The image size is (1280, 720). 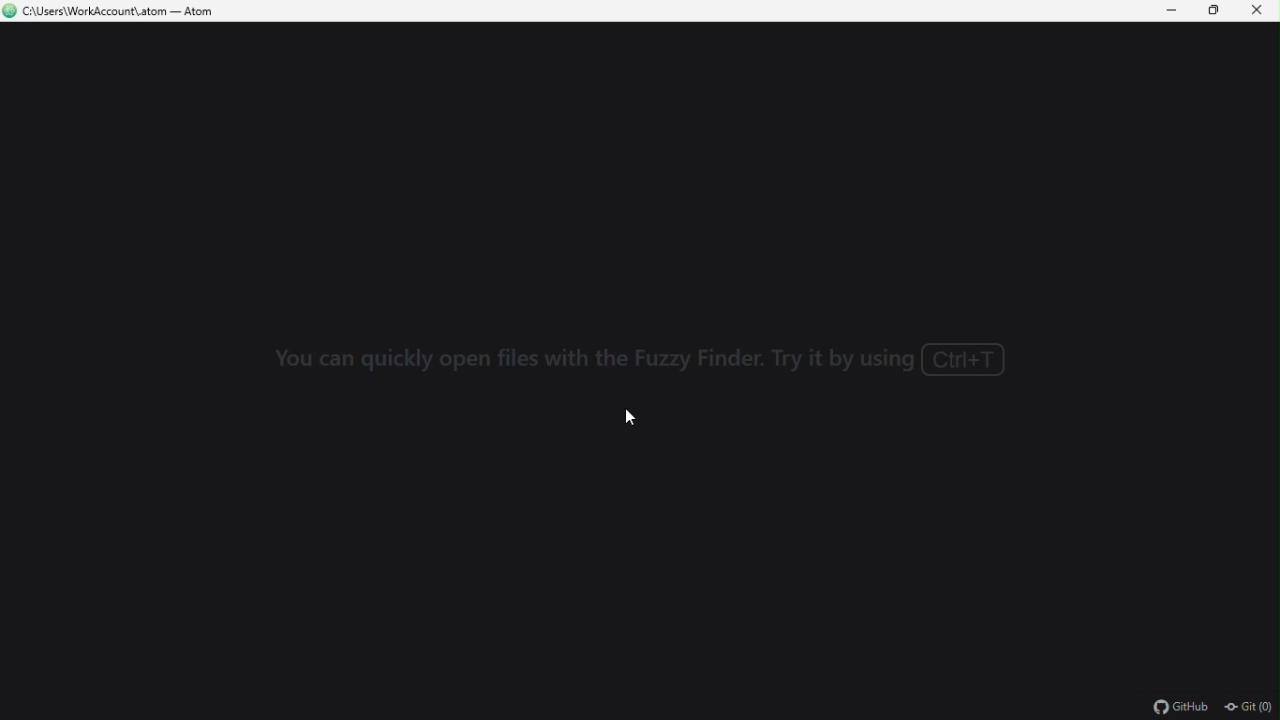 What do you see at coordinates (1249, 708) in the screenshot?
I see `git` at bounding box center [1249, 708].